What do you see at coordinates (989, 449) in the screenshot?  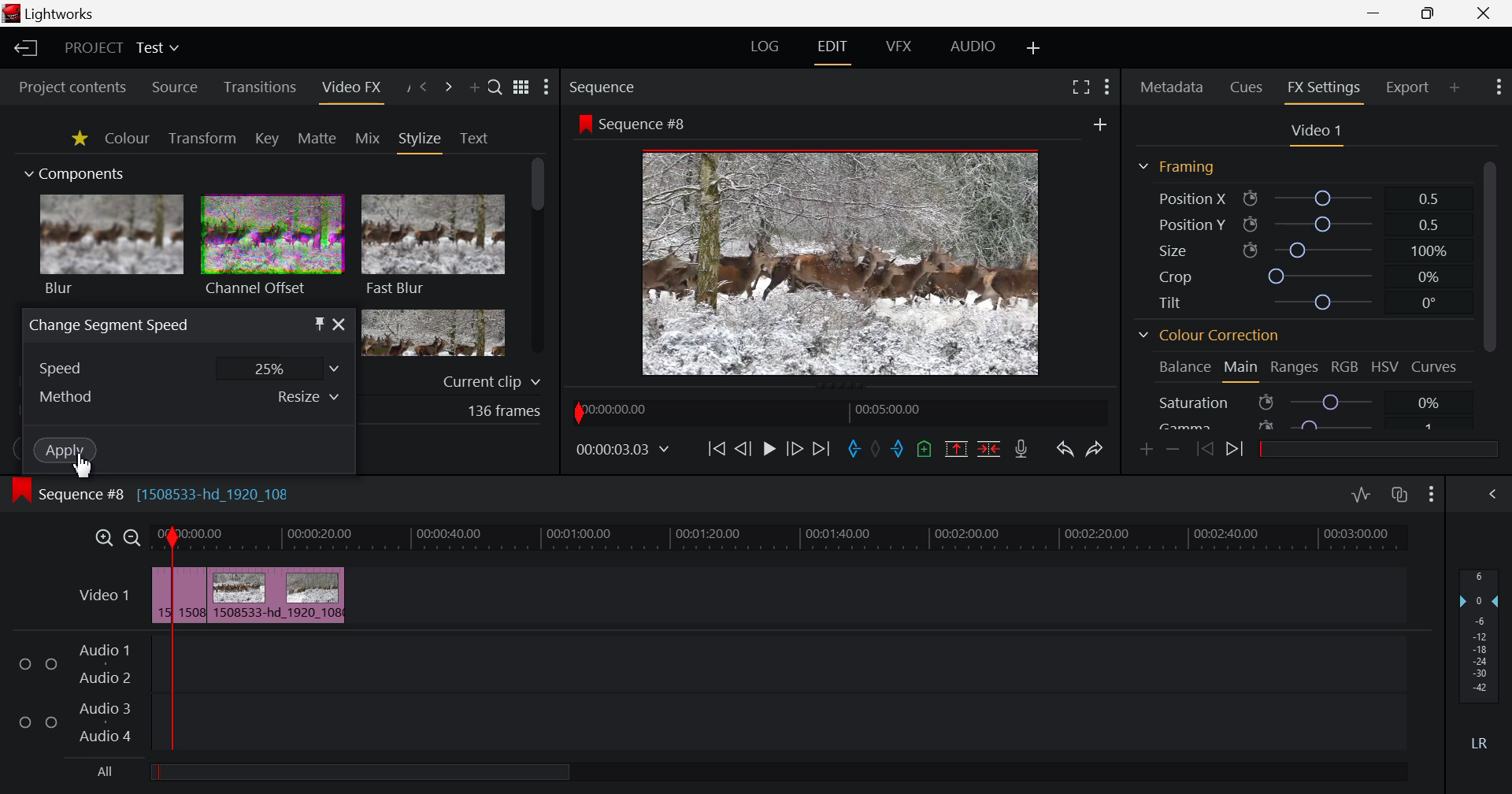 I see `Delete/Cut` at bounding box center [989, 449].